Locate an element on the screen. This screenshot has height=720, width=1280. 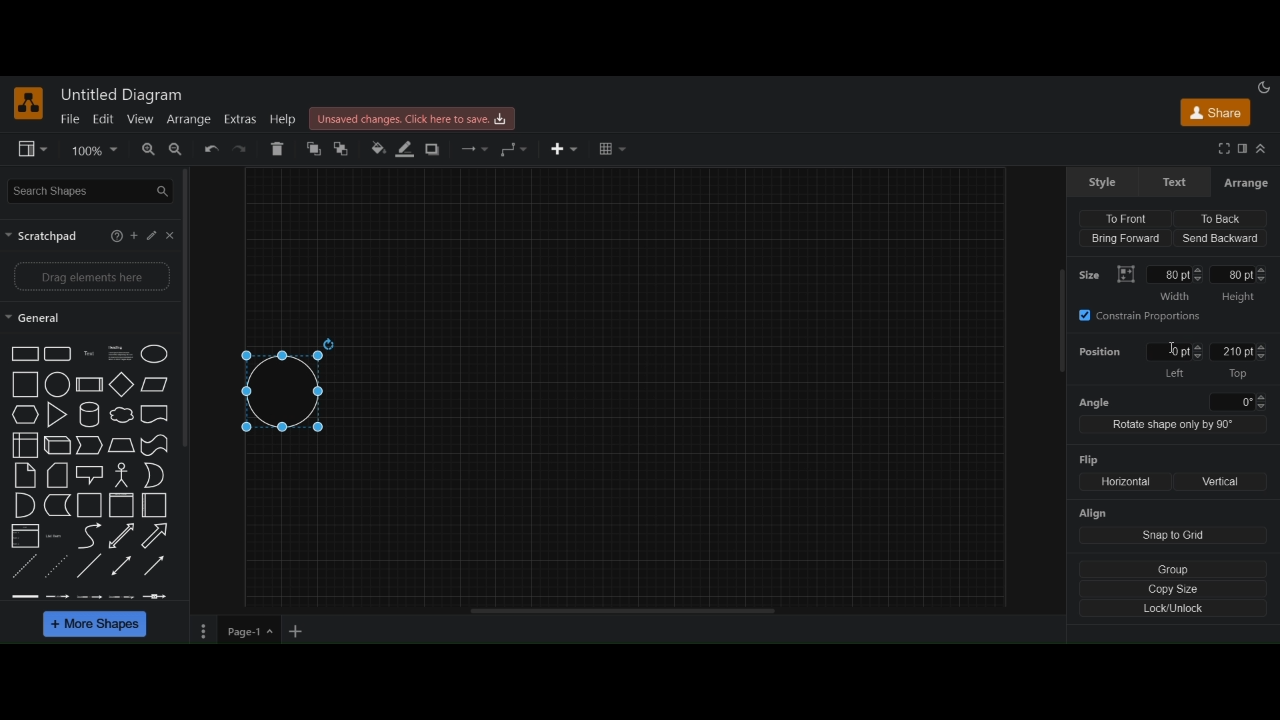
Man shape is located at coordinates (122, 476).